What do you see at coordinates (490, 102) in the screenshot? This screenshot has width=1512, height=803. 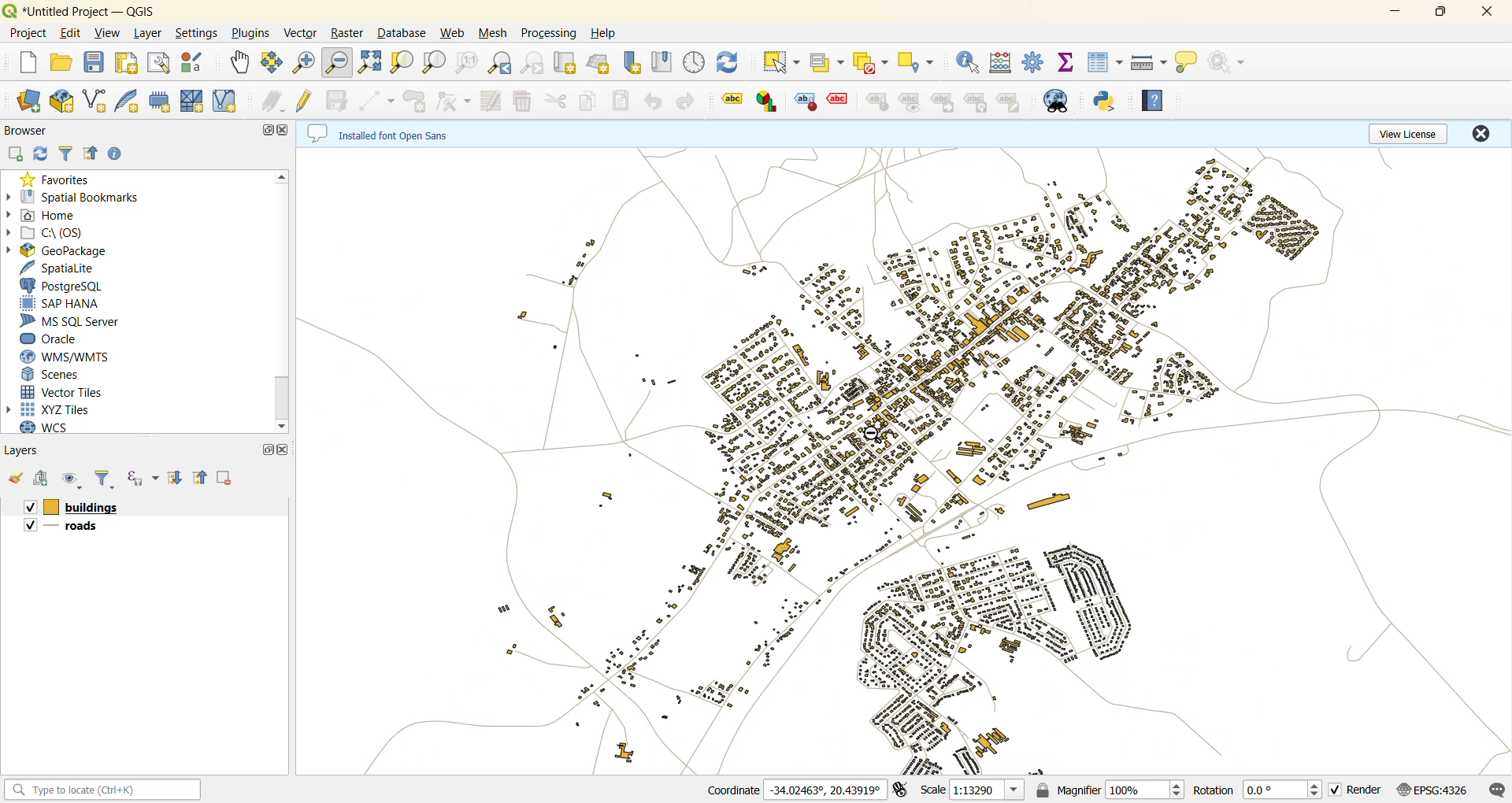 I see `modify` at bounding box center [490, 102].